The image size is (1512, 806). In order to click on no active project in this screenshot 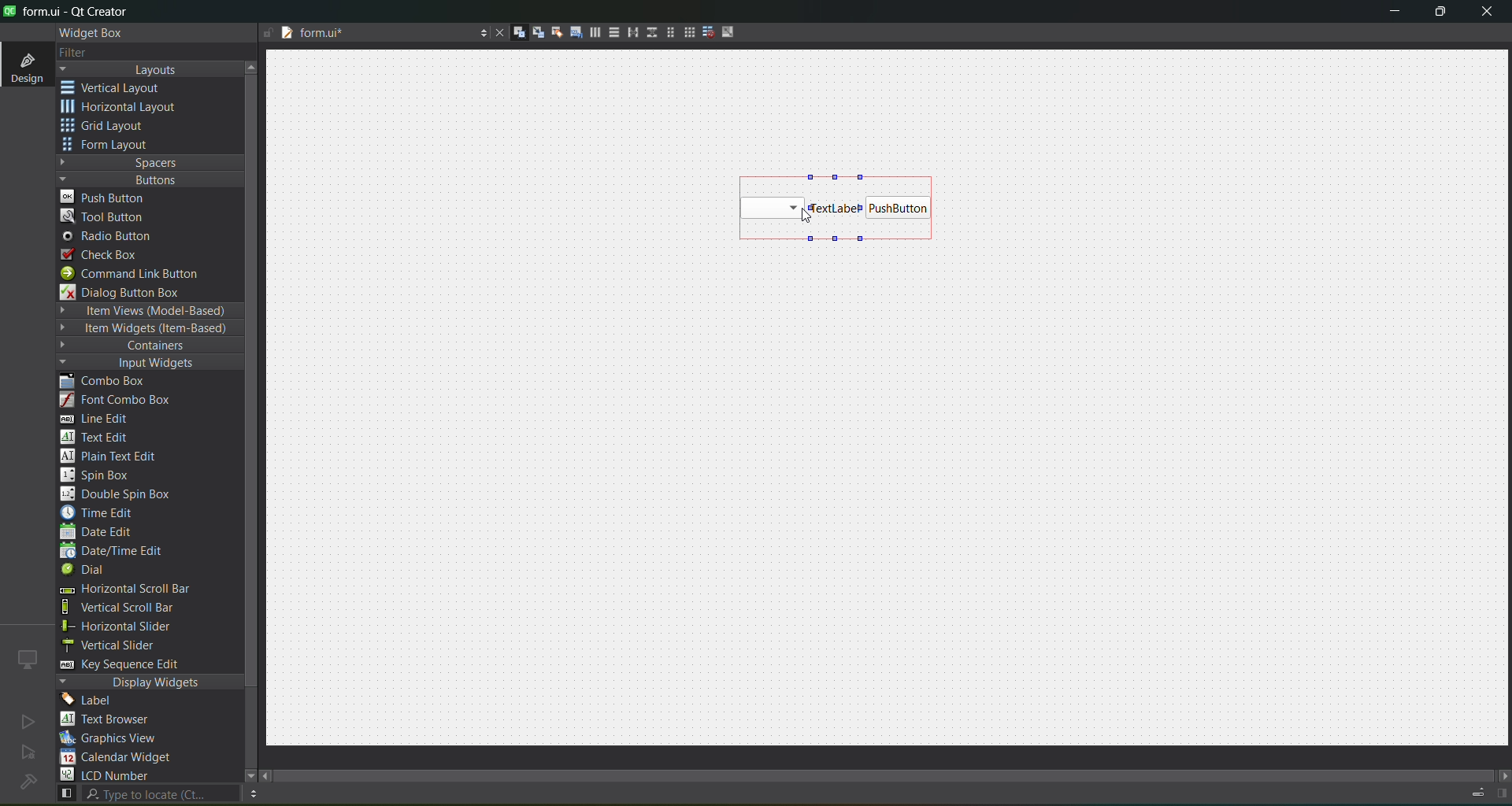, I will do `click(28, 721)`.